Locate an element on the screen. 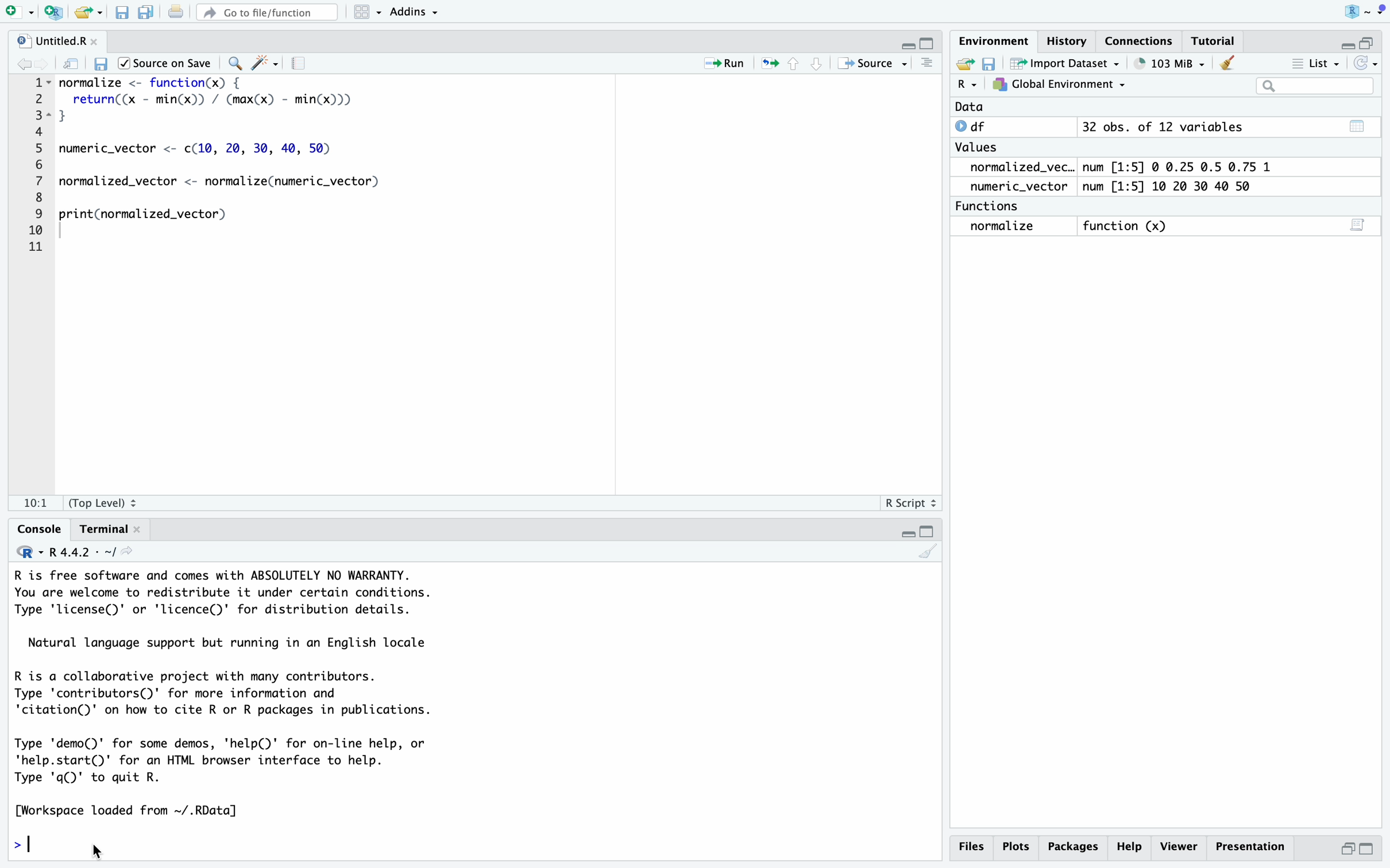  R is located at coordinates (24, 554).